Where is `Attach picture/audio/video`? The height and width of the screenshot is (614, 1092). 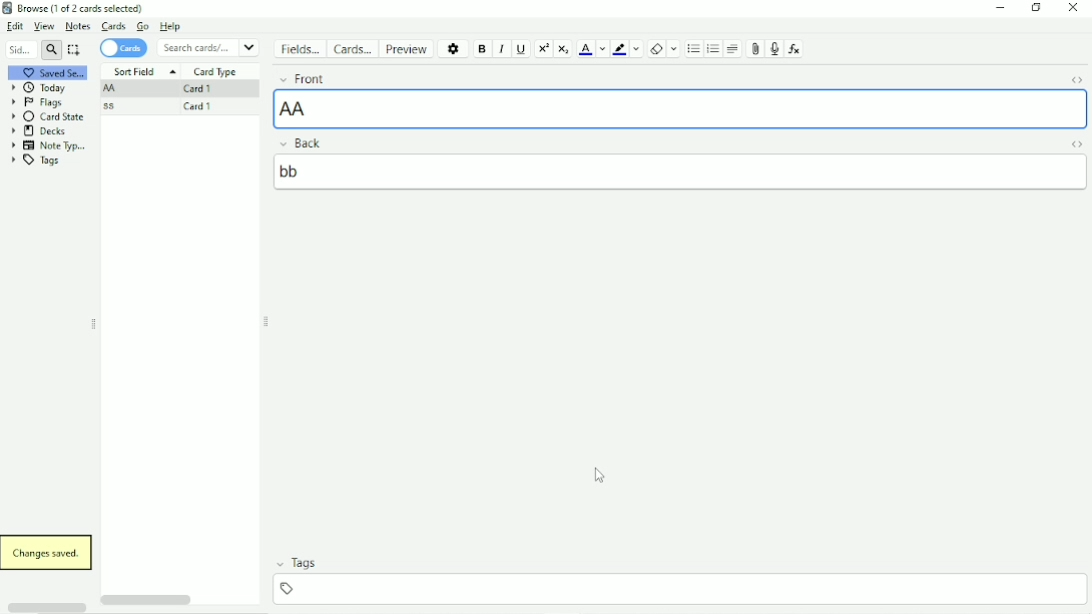
Attach picture/audio/video is located at coordinates (755, 50).